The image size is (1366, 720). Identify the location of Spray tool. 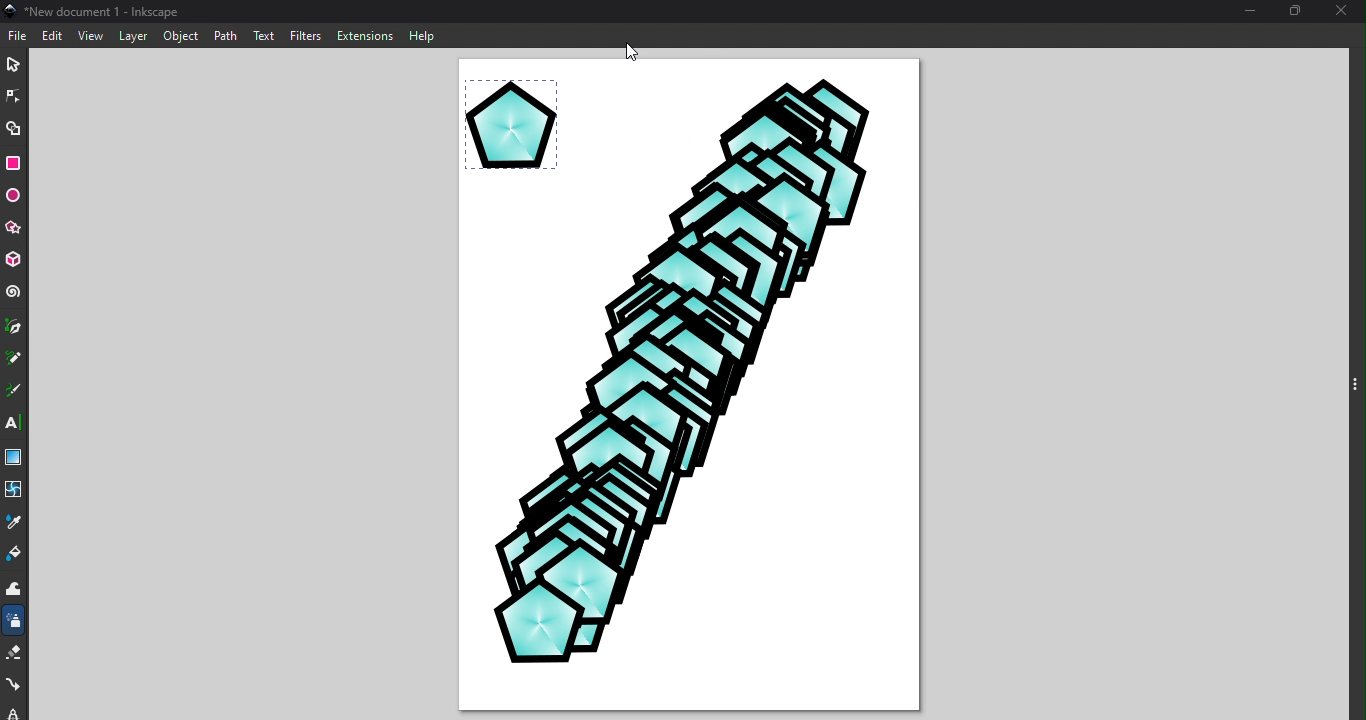
(14, 624).